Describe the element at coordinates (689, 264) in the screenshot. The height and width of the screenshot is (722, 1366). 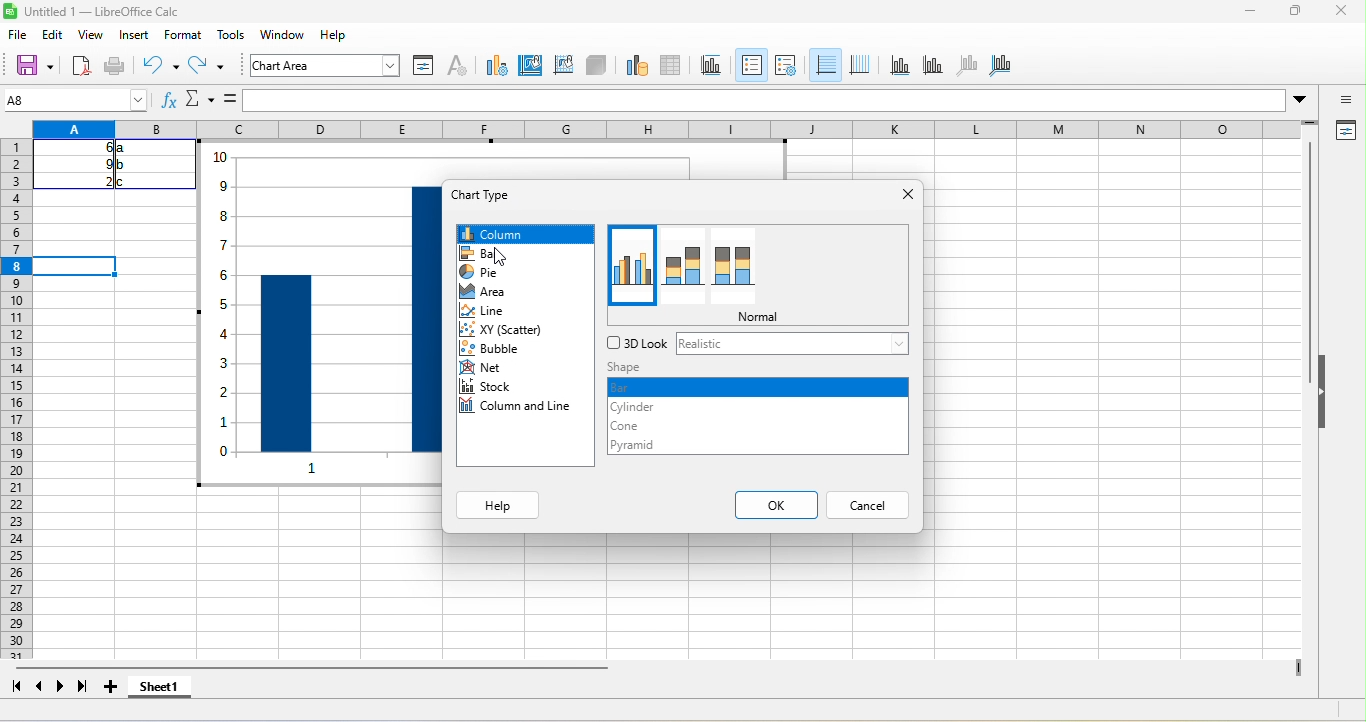
I see `stacked` at that location.